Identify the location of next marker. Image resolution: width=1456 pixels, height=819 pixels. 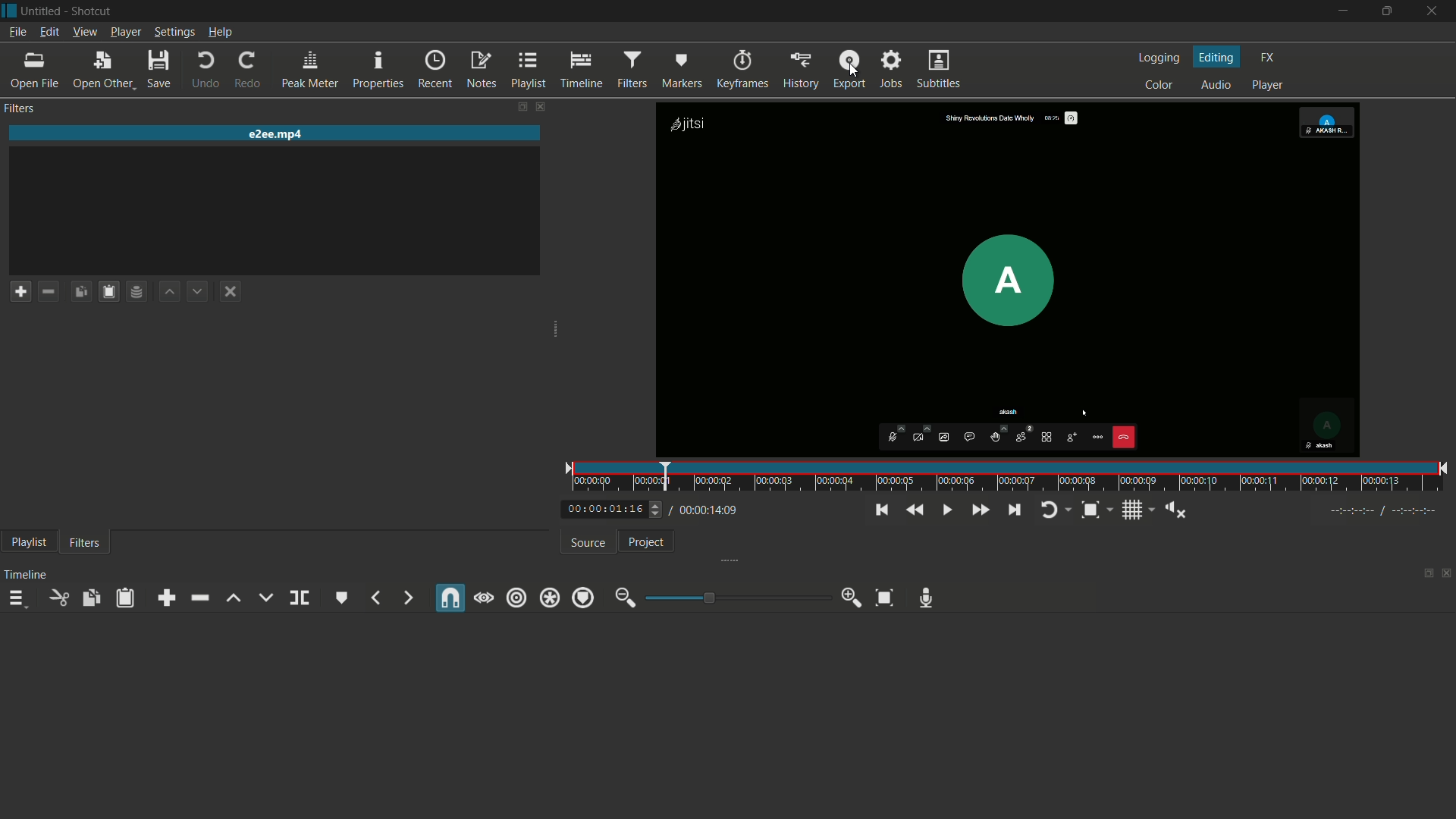
(406, 598).